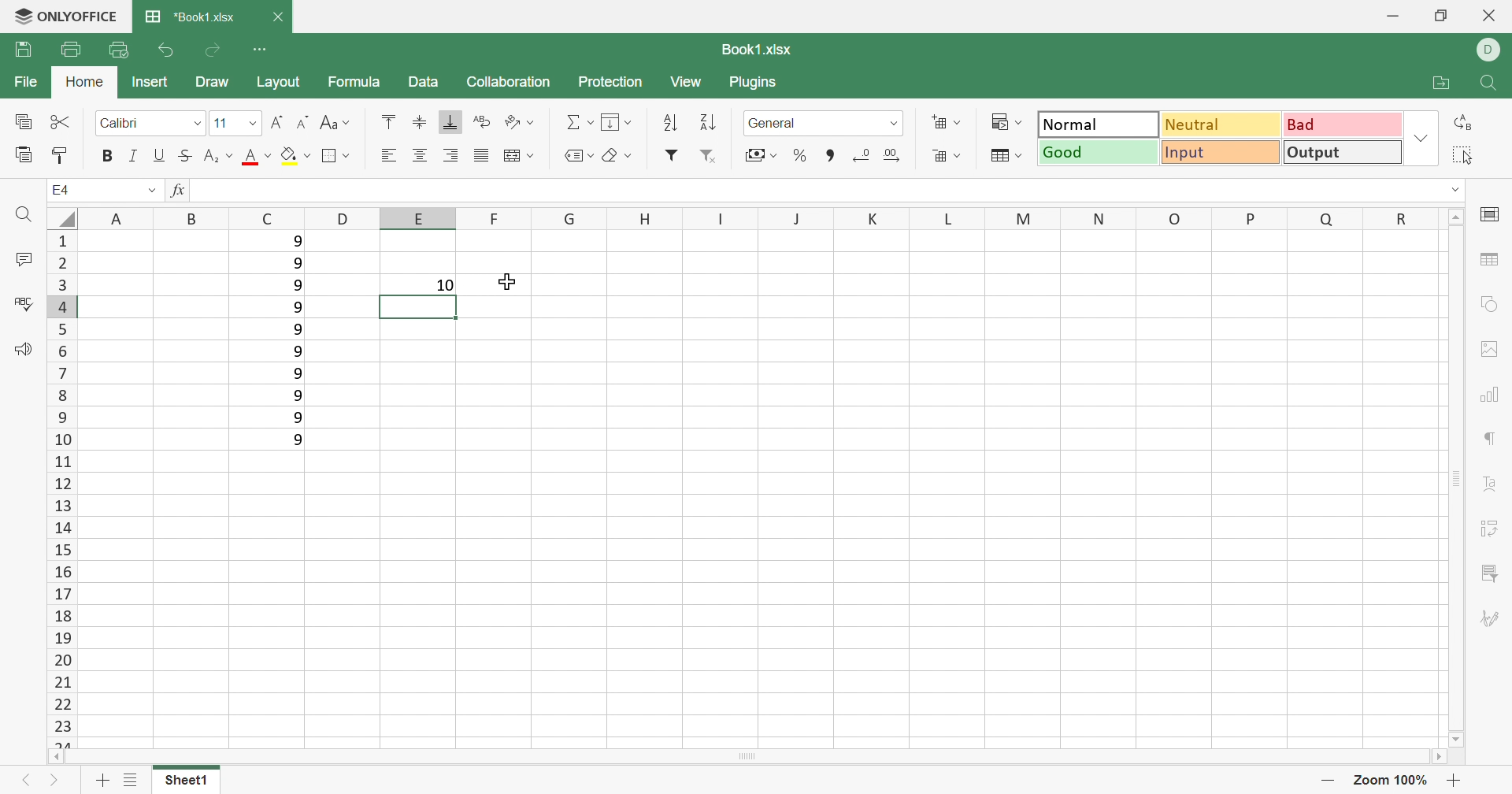 The image size is (1512, 794). I want to click on 9, so click(296, 240).